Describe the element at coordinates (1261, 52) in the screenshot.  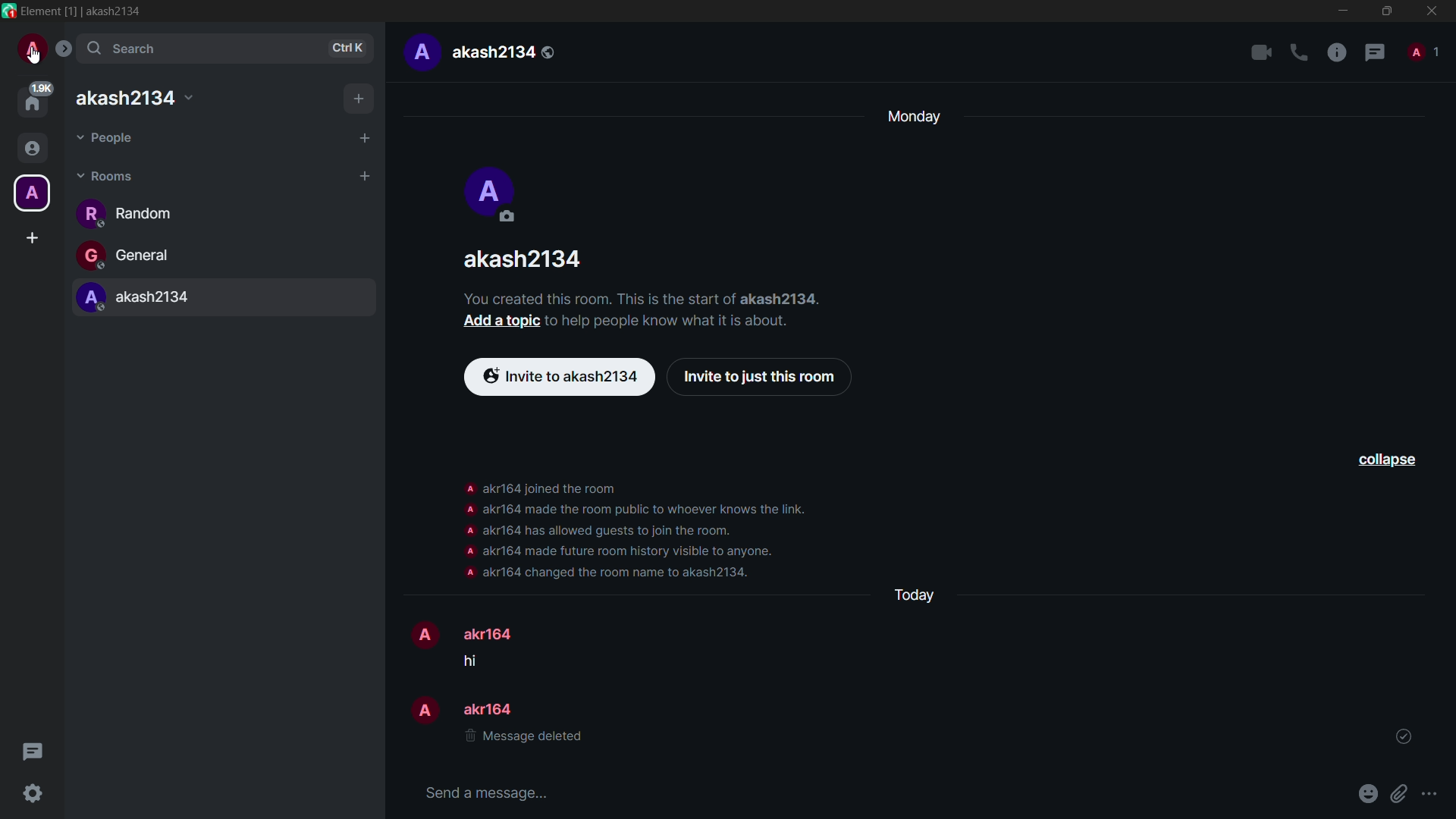
I see `add video call` at that location.